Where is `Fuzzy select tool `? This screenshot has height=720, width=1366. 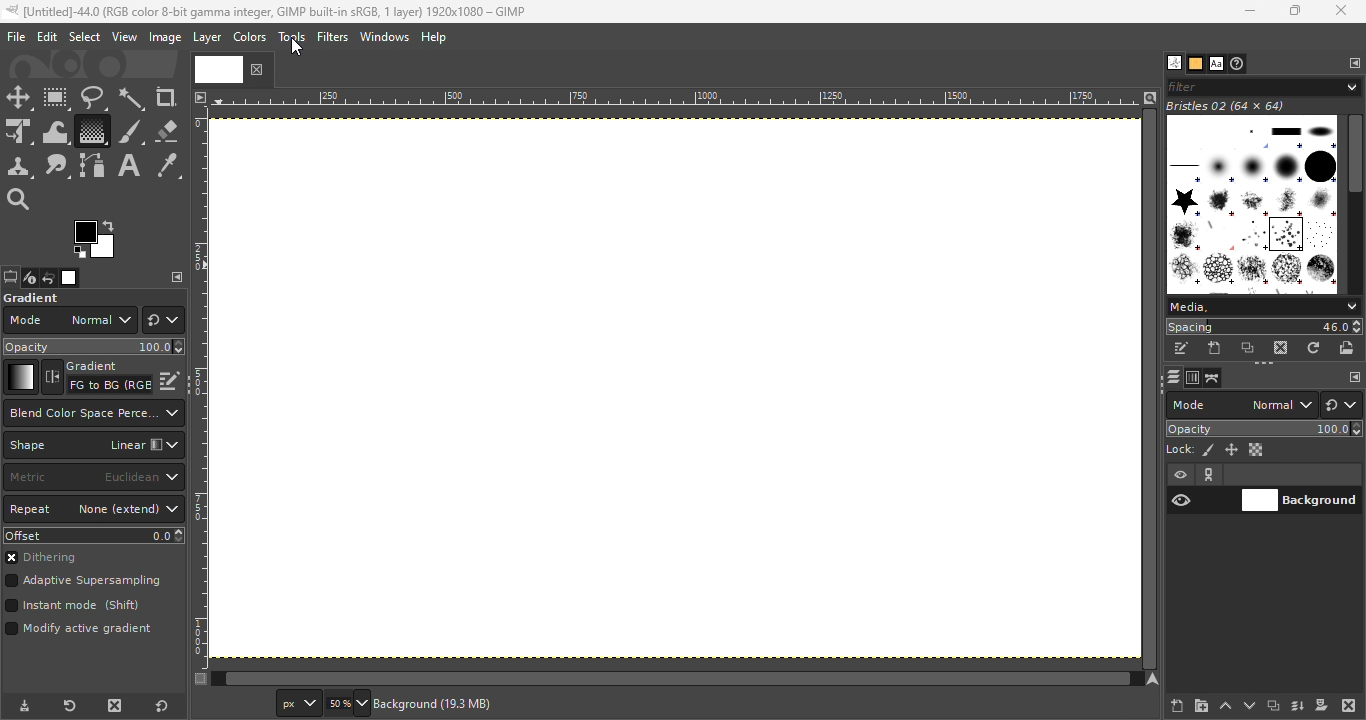
Fuzzy select tool  is located at coordinates (132, 98).